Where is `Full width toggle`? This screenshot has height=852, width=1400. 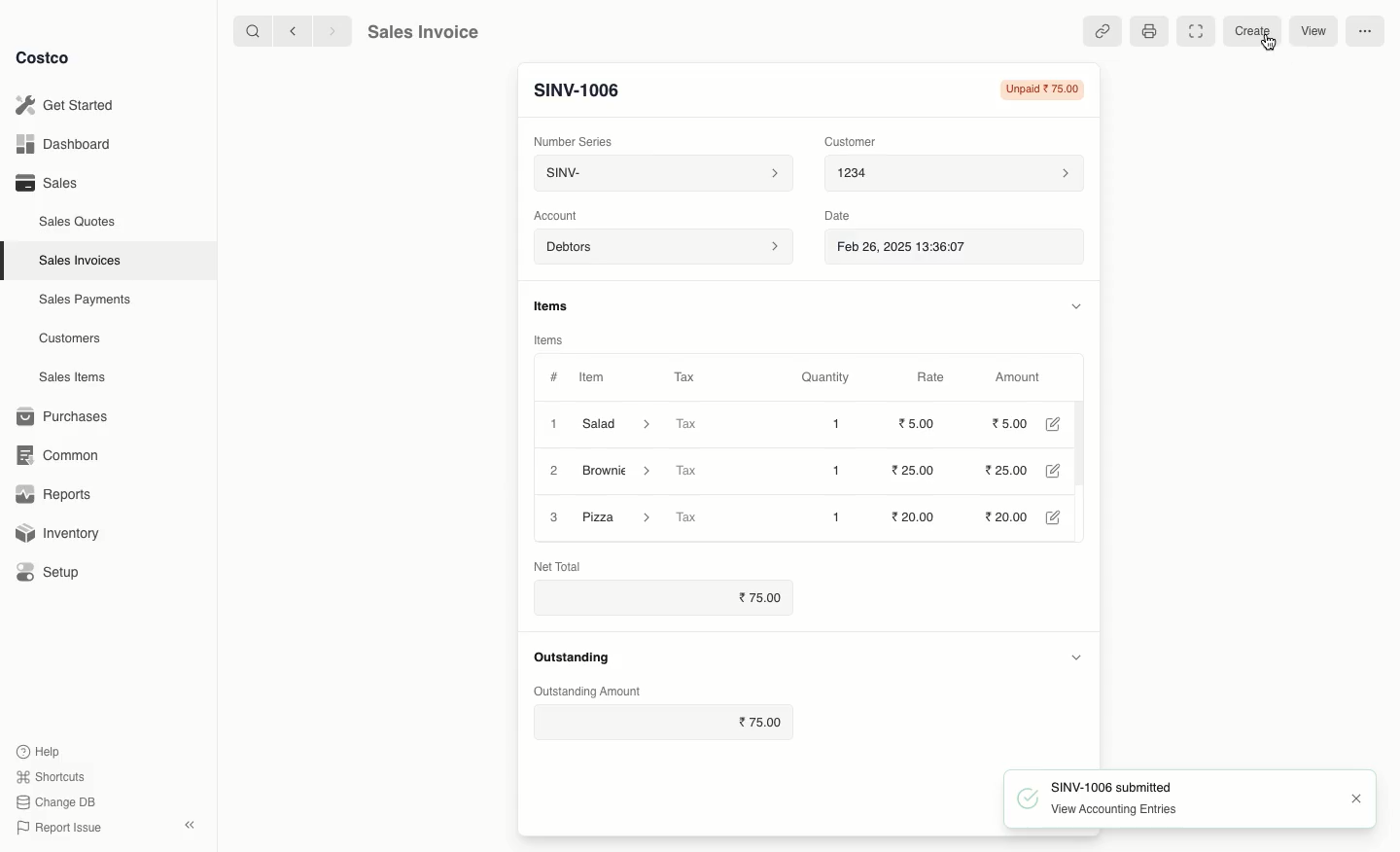
Full width toggle is located at coordinates (1197, 32).